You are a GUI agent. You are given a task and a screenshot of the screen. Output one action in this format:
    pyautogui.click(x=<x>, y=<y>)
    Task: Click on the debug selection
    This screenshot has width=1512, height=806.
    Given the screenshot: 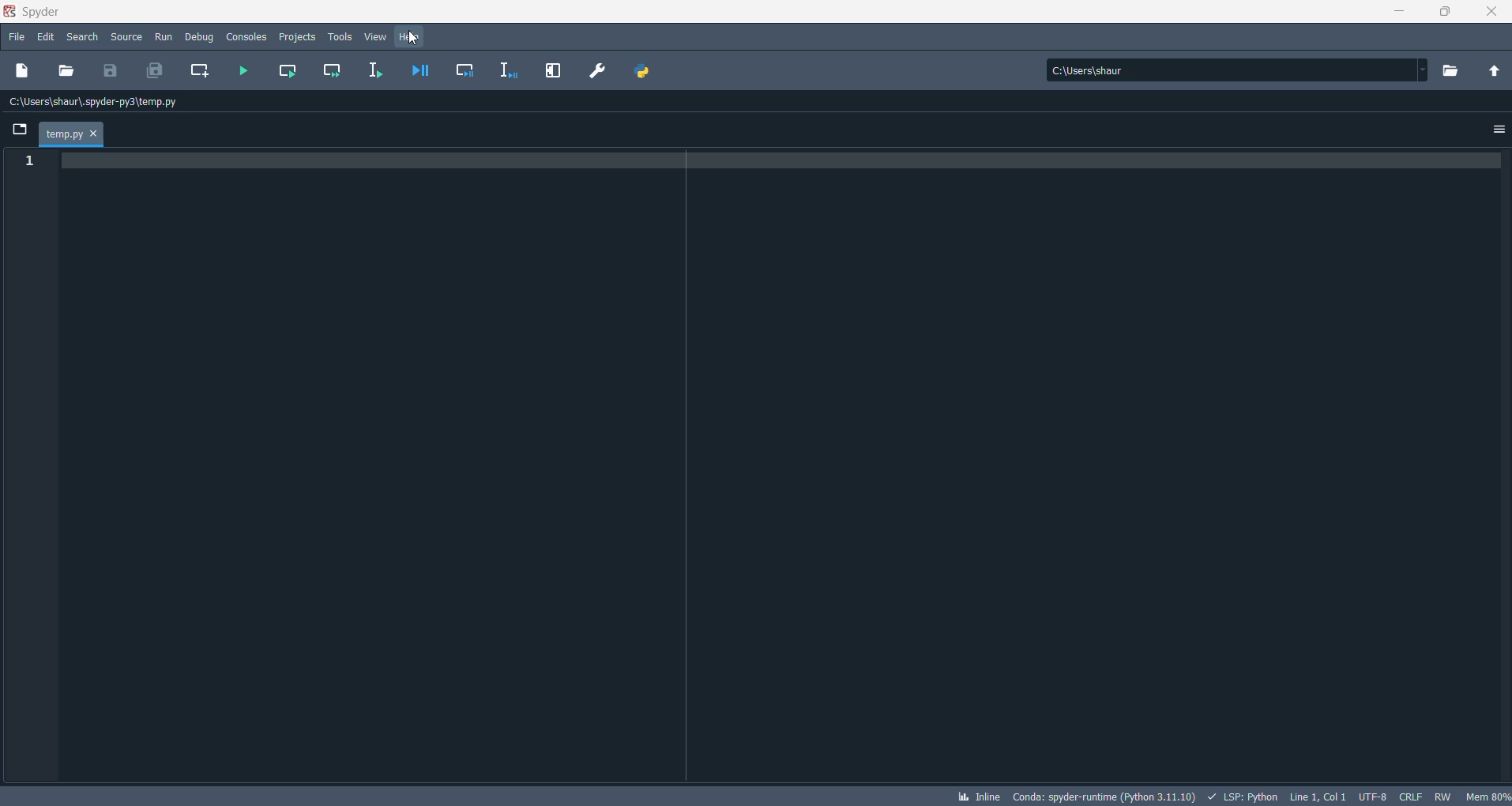 What is the action you would take?
    pyautogui.click(x=506, y=70)
    